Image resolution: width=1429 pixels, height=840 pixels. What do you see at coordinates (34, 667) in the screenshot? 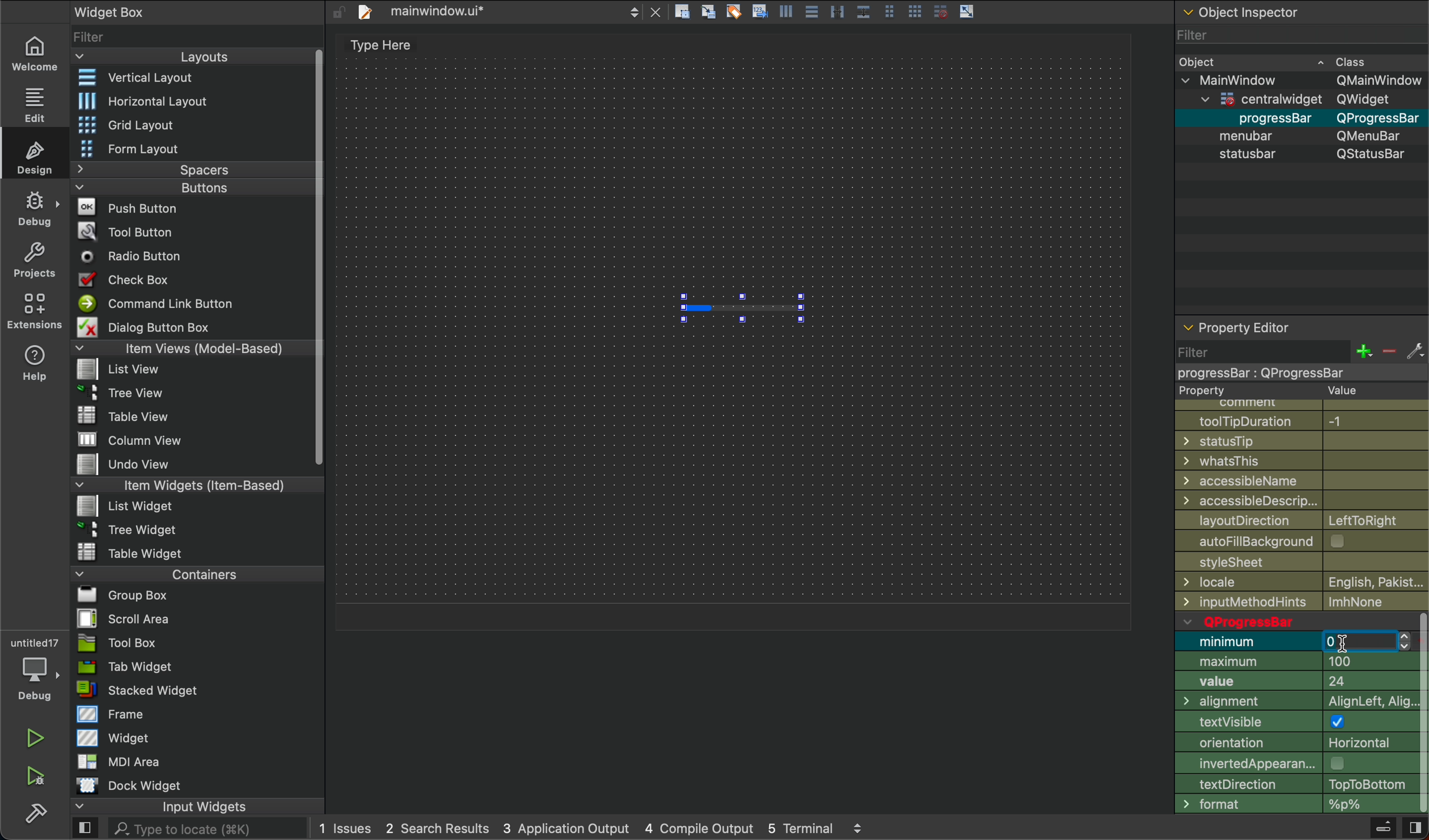
I see `debugger` at bounding box center [34, 667].